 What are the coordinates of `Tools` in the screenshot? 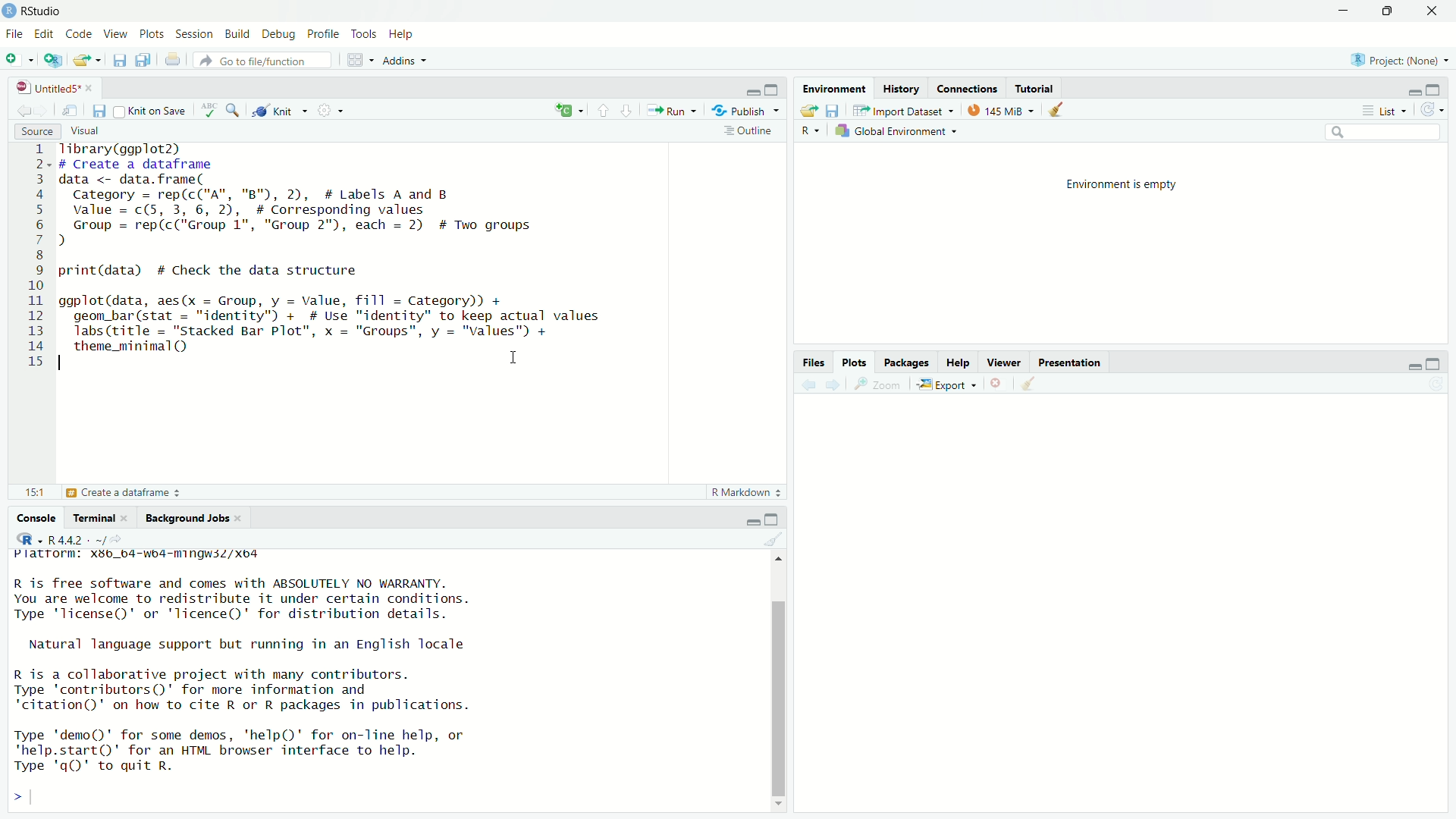 It's located at (365, 33).